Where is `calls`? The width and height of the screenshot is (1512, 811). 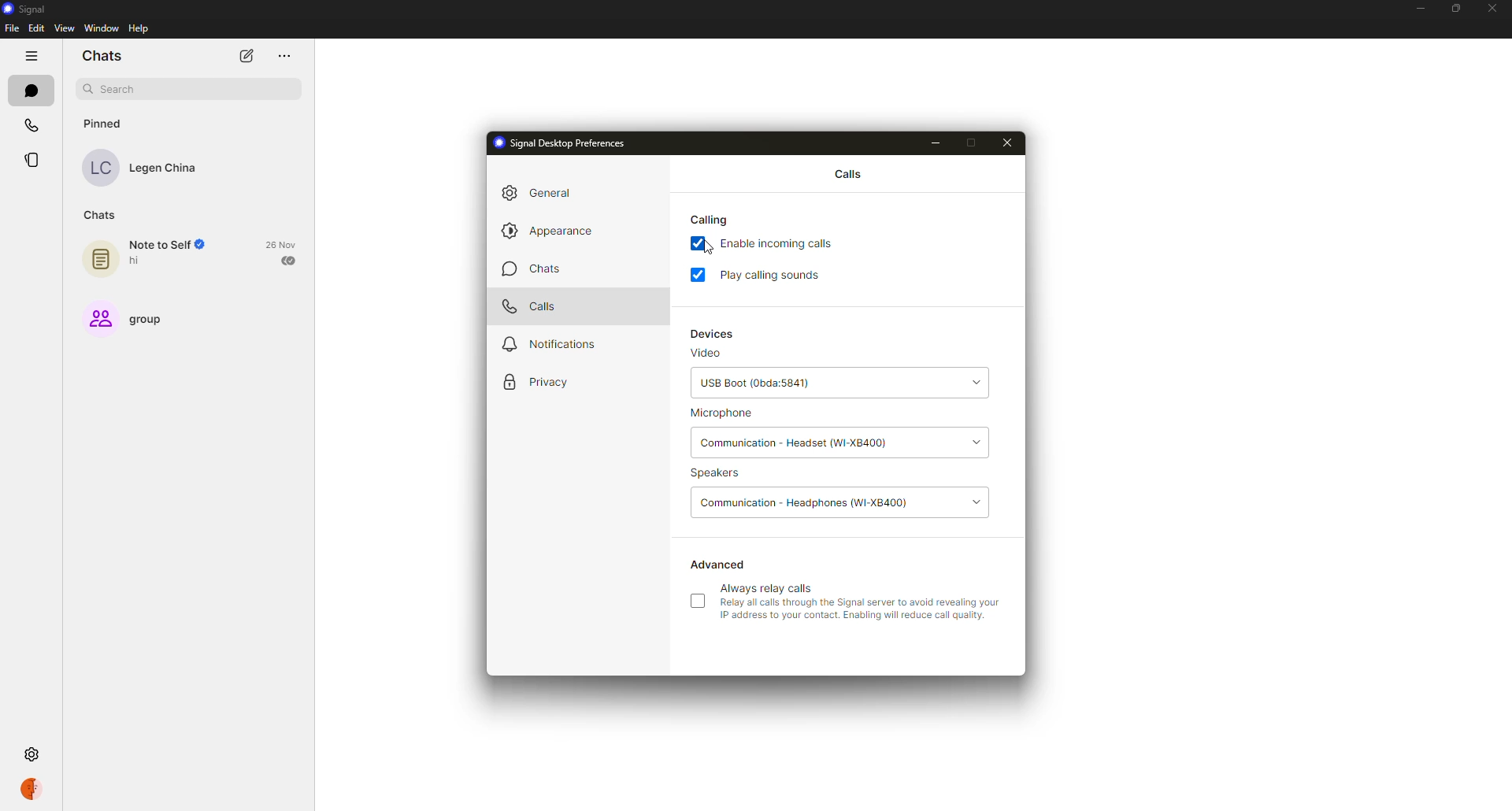
calls is located at coordinates (29, 125).